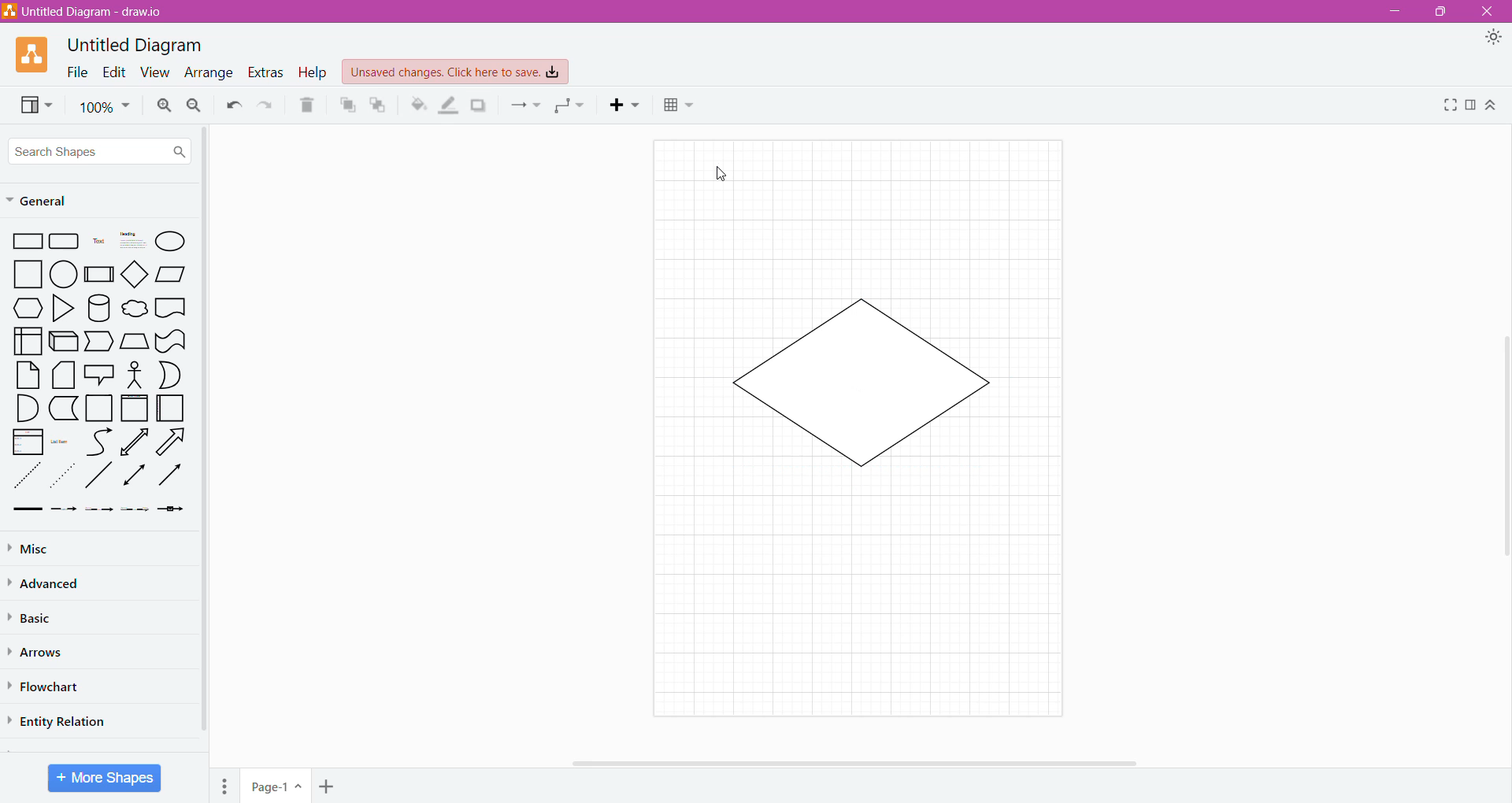 The width and height of the screenshot is (1512, 803). What do you see at coordinates (28, 479) in the screenshot?
I see `Dashed Line` at bounding box center [28, 479].